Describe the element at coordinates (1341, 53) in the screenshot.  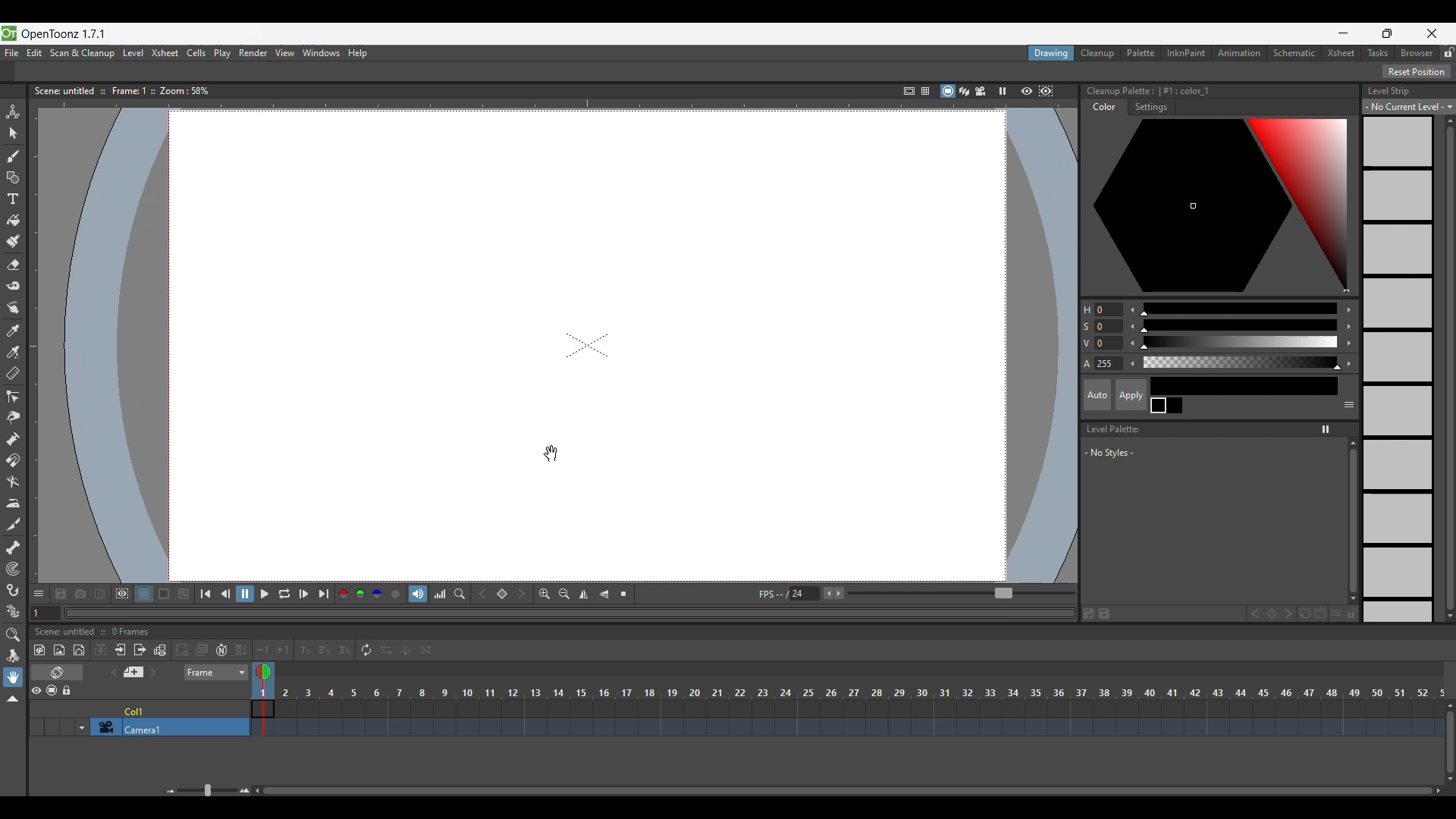
I see `Xsheet` at that location.